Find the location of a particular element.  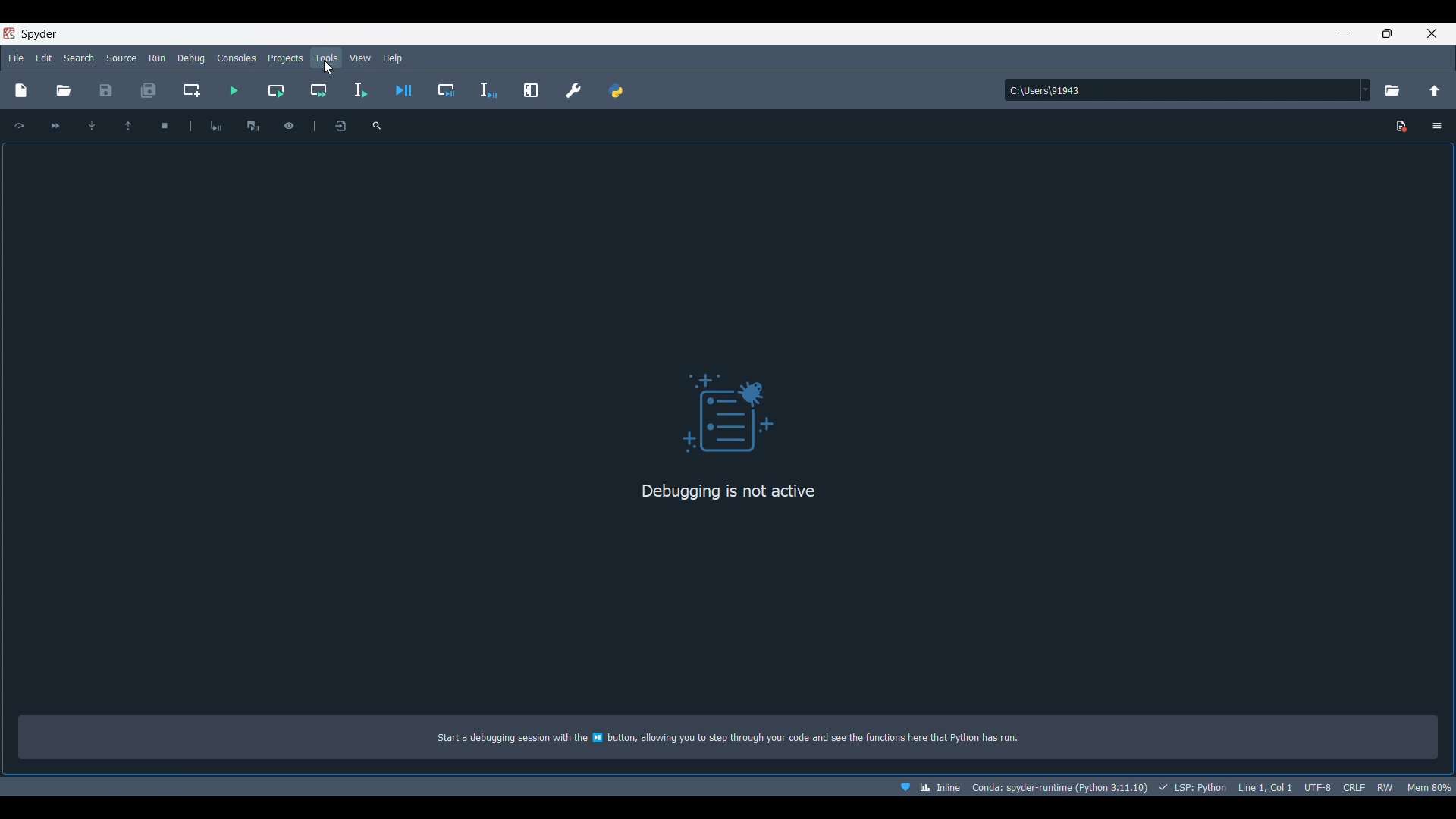

Options is located at coordinates (1436, 125).